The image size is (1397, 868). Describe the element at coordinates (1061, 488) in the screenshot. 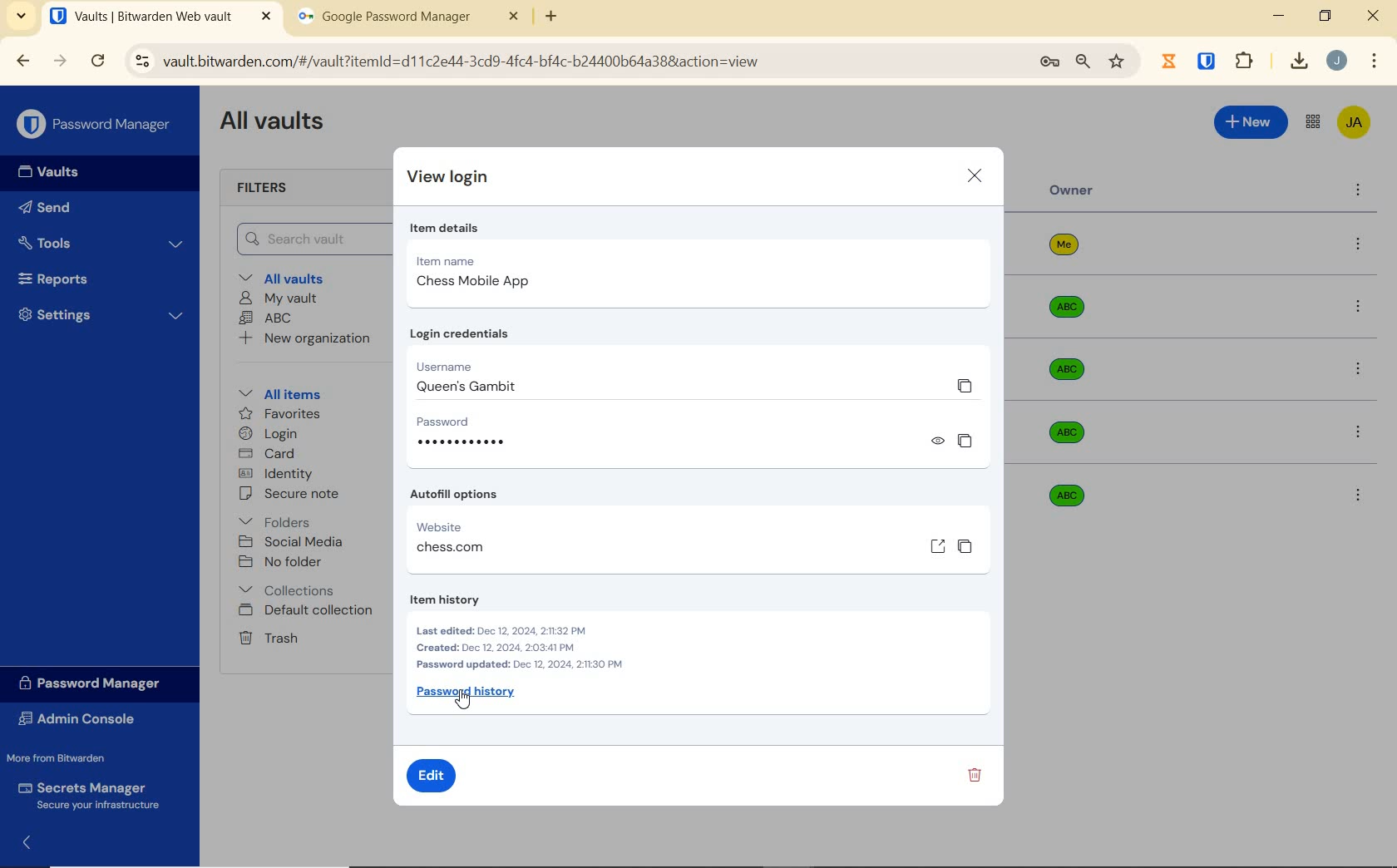

I see `abc` at that location.